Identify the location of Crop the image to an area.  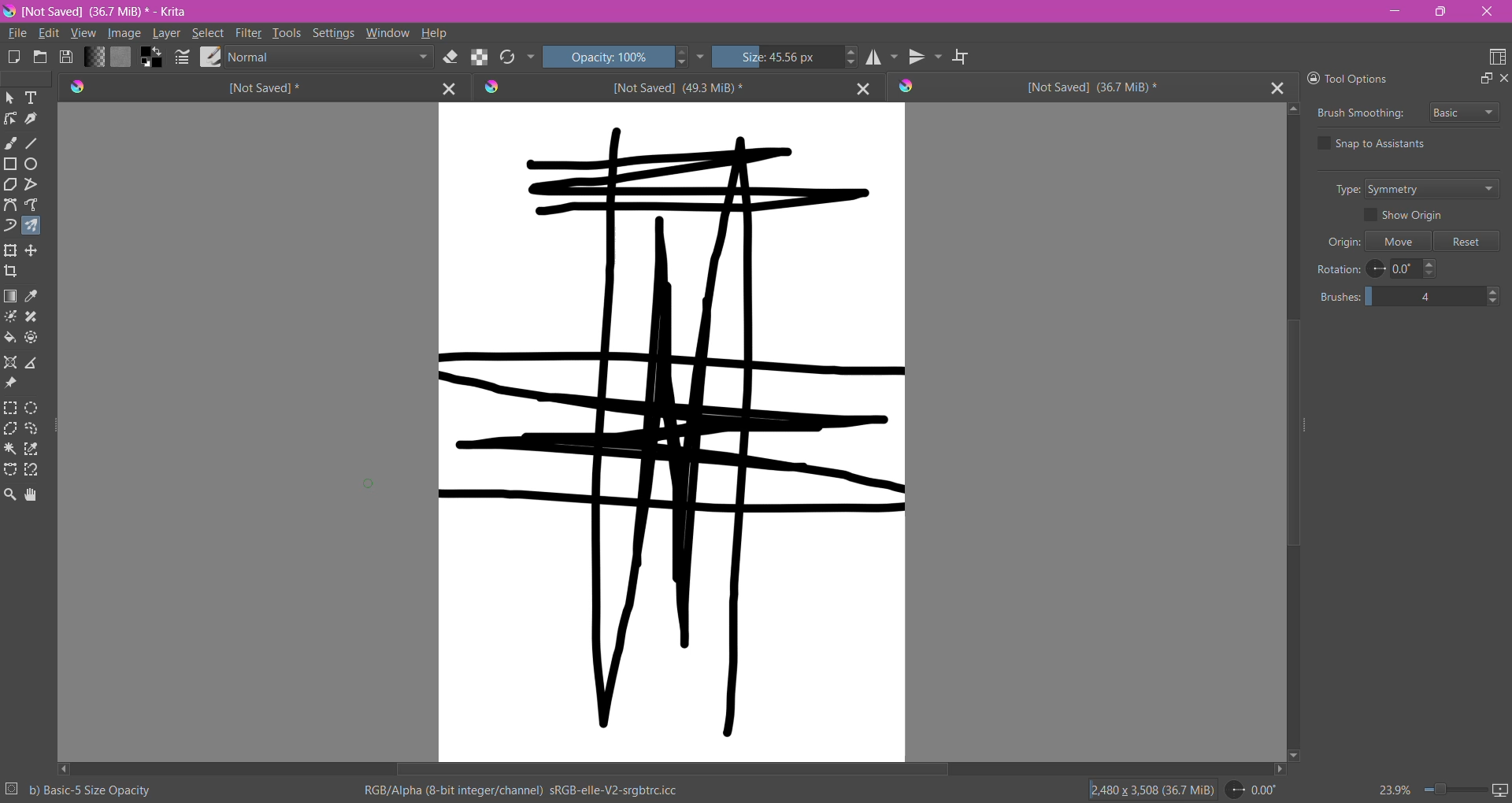
(12, 272).